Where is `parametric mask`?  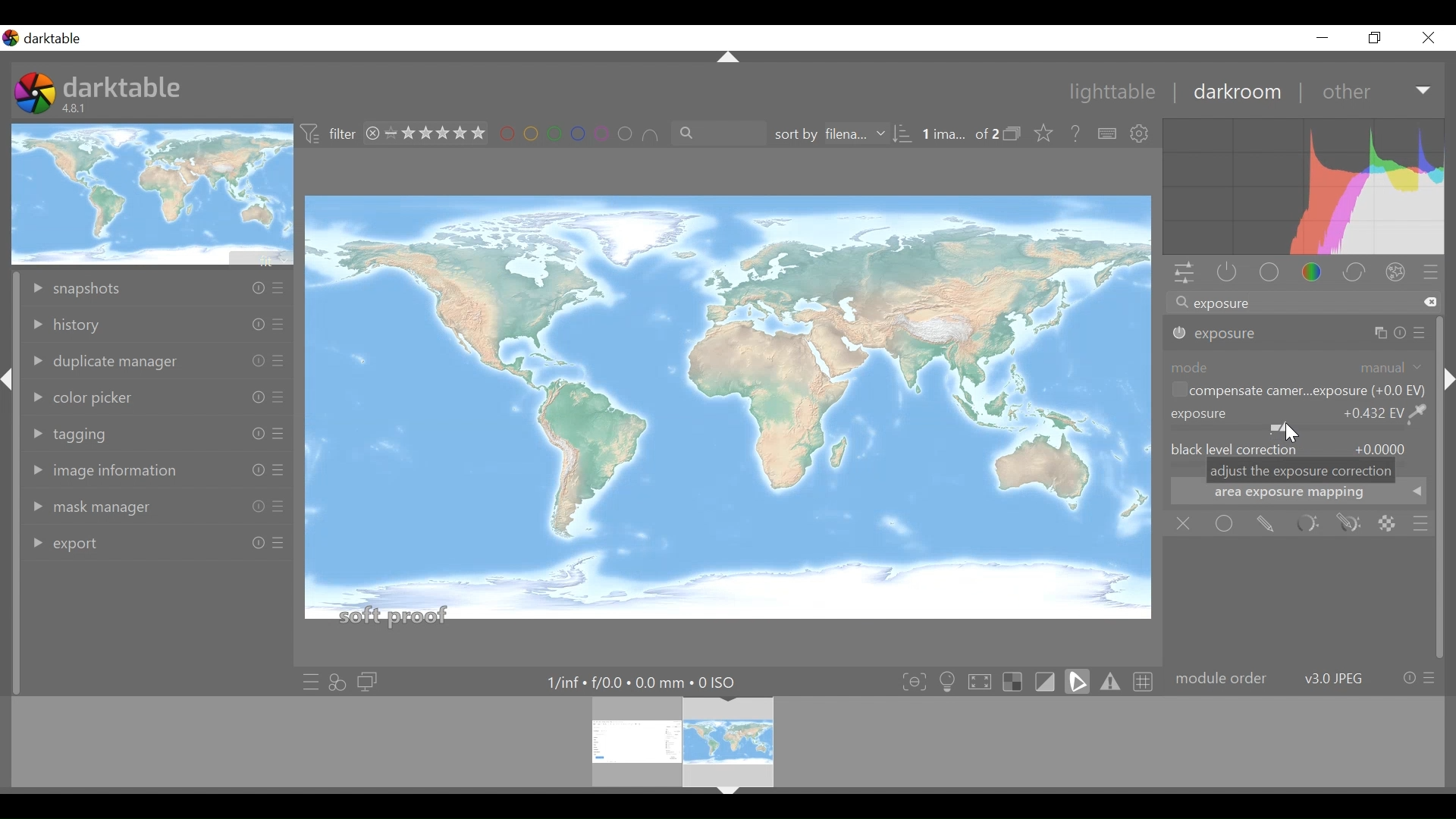
parametric mask is located at coordinates (1307, 524).